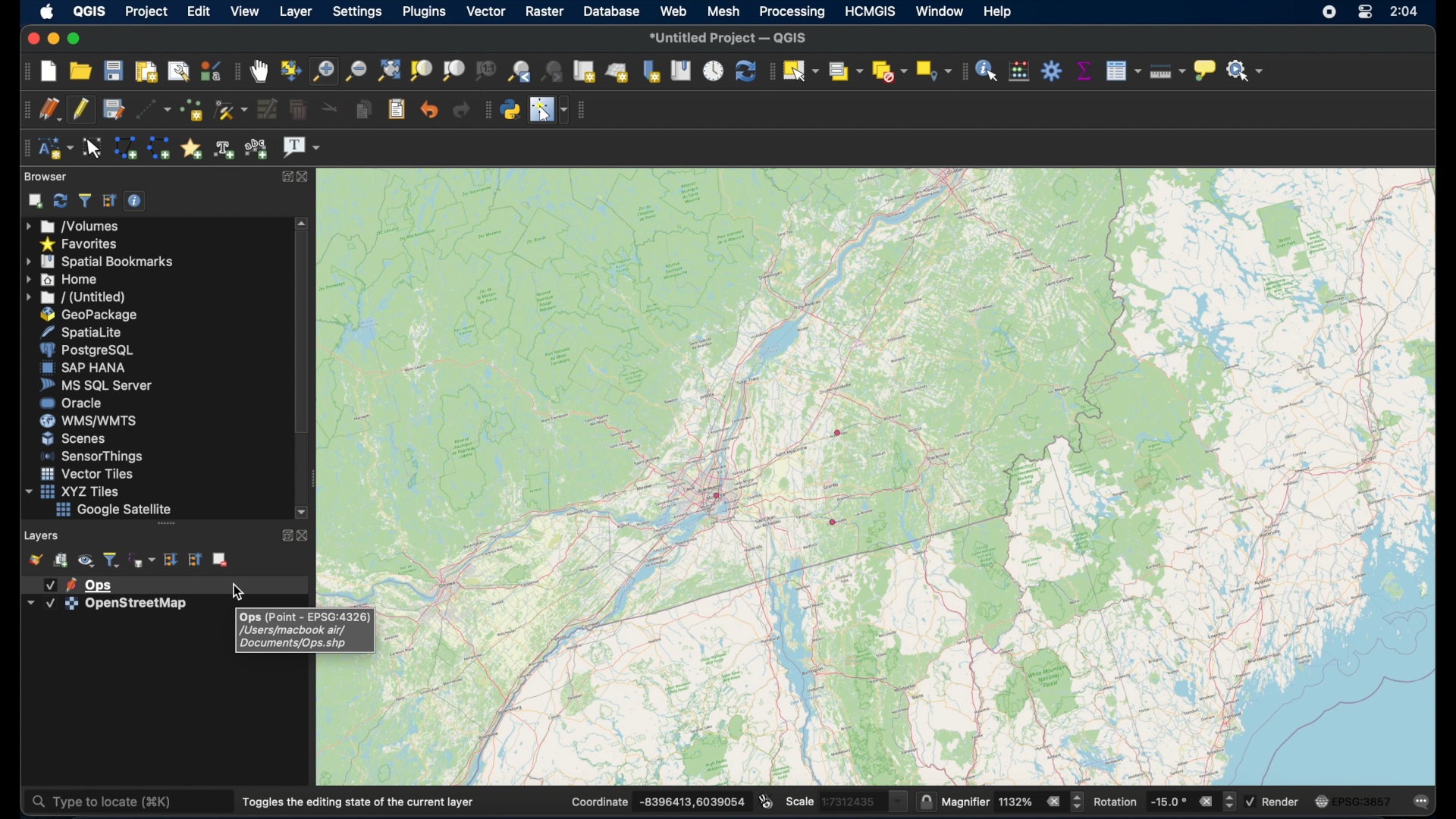 This screenshot has height=819, width=1456. What do you see at coordinates (306, 177) in the screenshot?
I see `close browser` at bounding box center [306, 177].